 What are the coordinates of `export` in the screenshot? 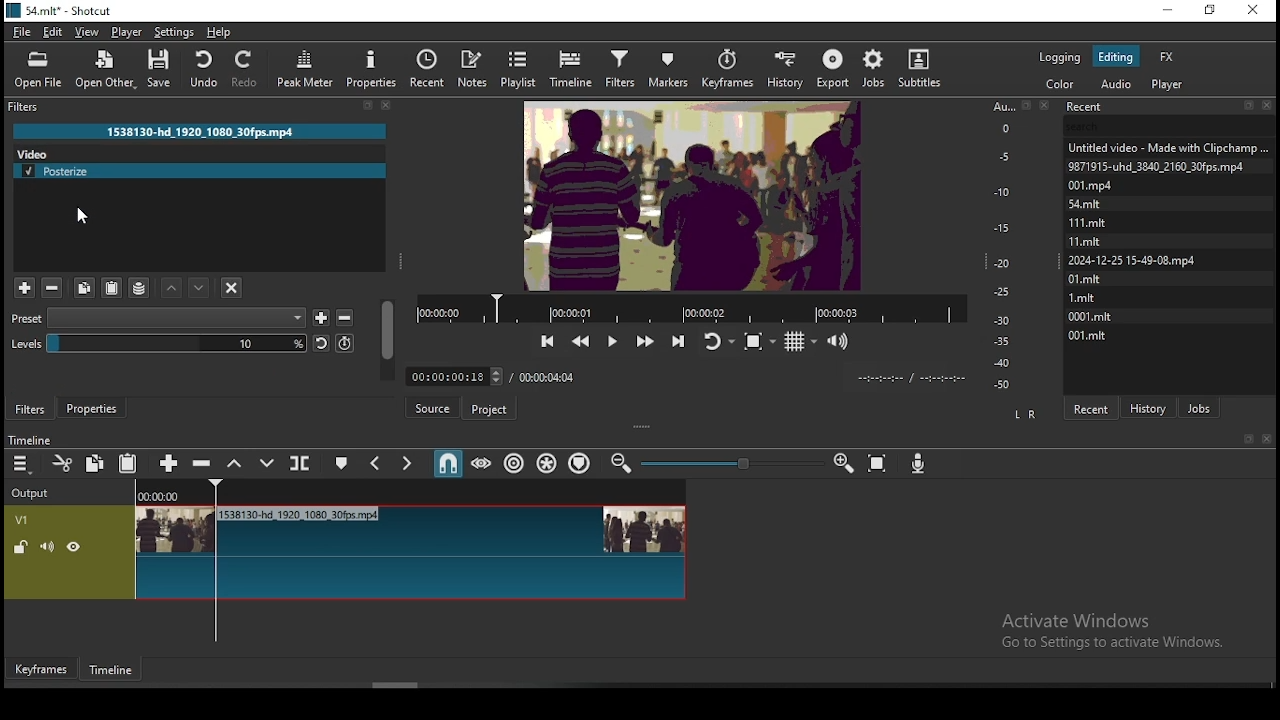 It's located at (835, 66).